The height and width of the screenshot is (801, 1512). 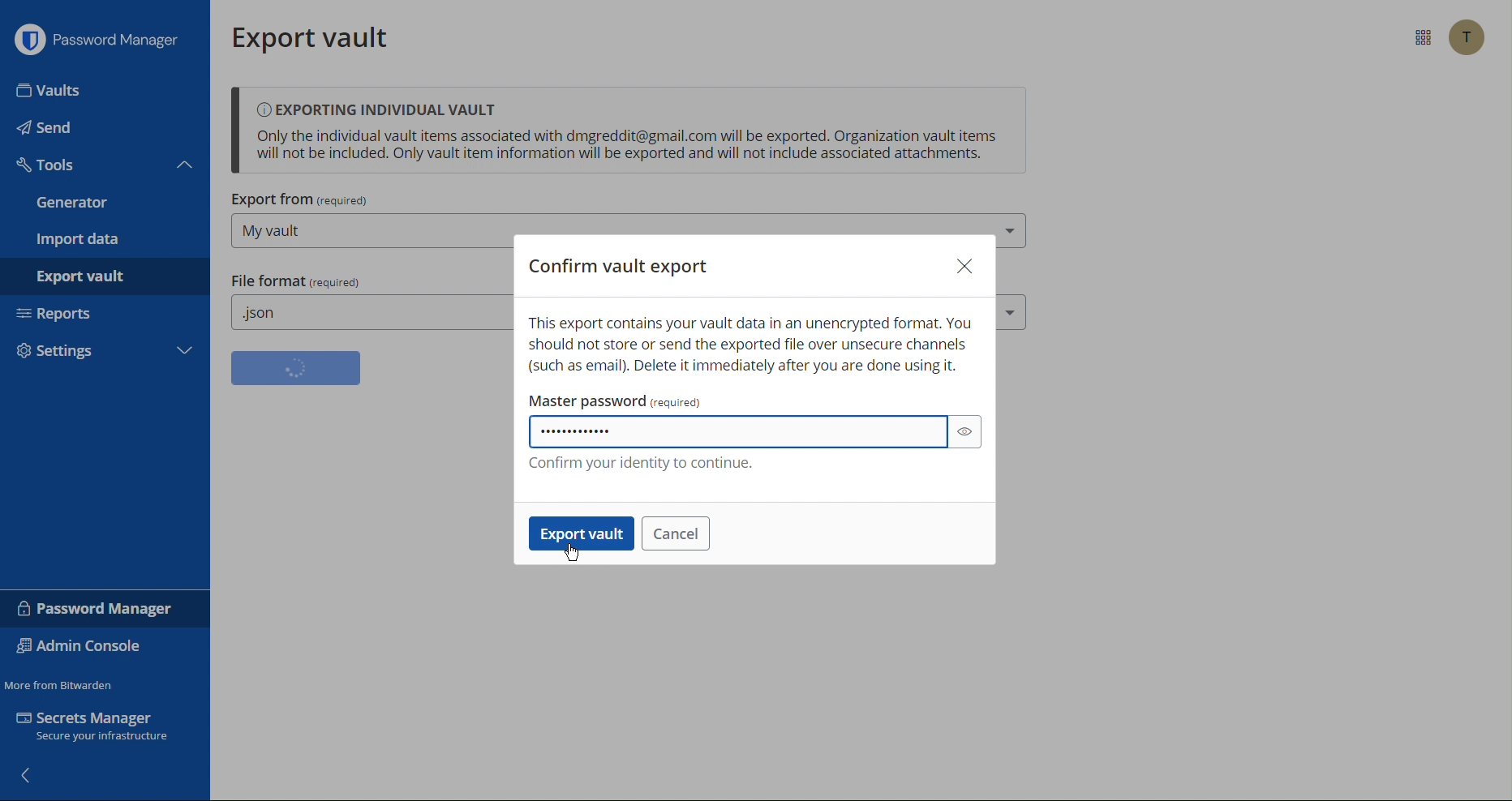 I want to click on Admin Console, so click(x=85, y=647).